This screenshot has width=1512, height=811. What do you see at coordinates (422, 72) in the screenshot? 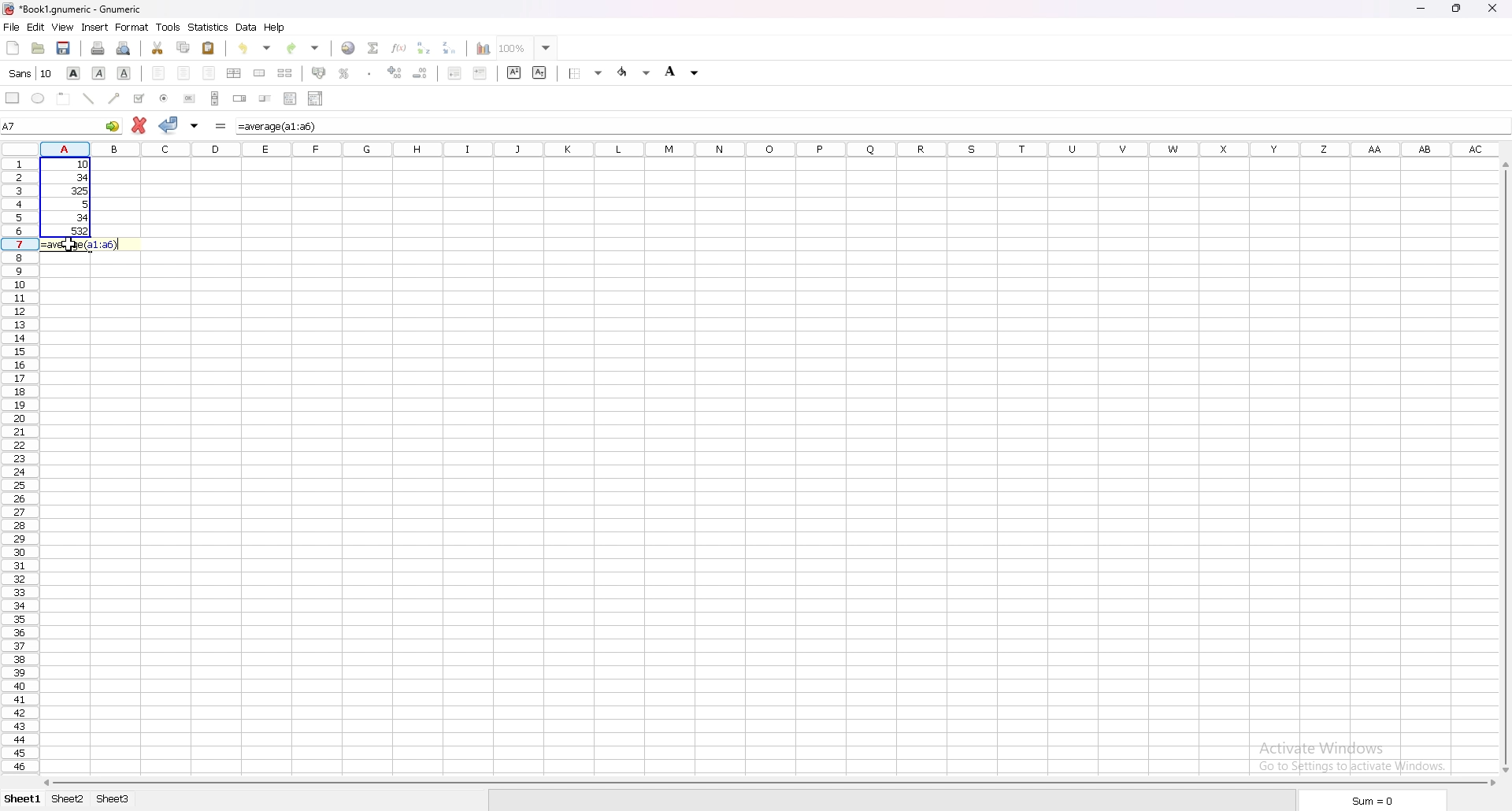
I see `decrease decimals` at bounding box center [422, 72].